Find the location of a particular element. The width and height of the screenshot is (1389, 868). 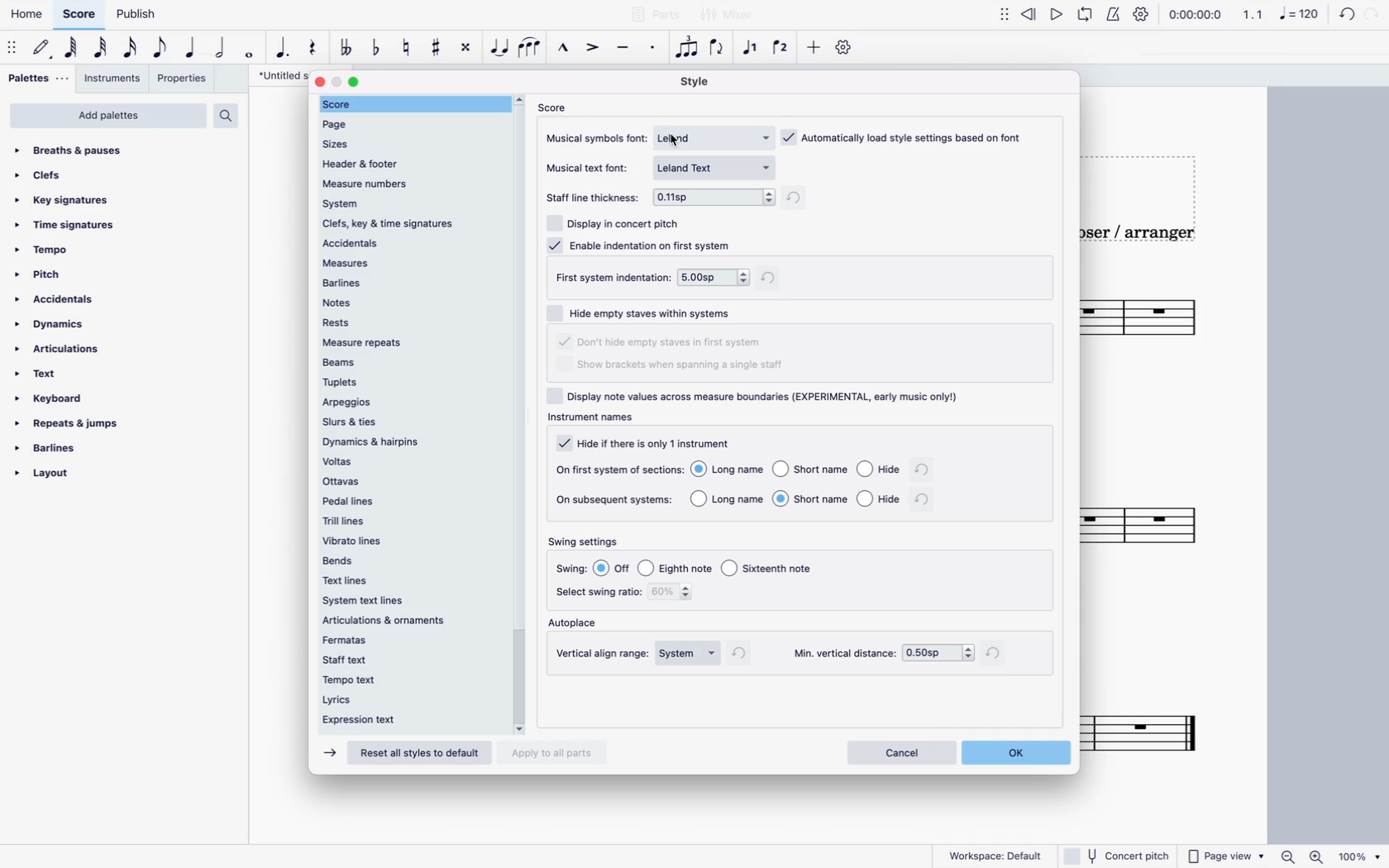

score is located at coordinates (1163, 533).